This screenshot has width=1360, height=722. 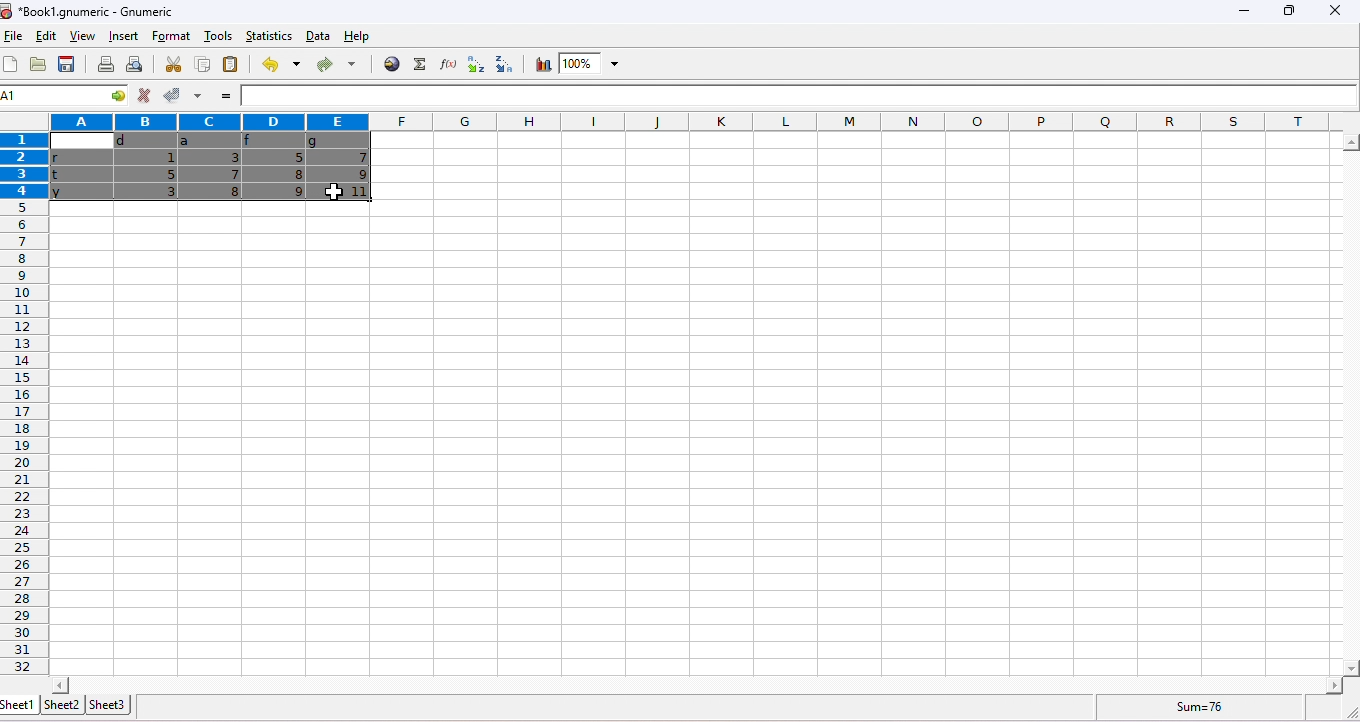 I want to click on cell functions, so click(x=109, y=97).